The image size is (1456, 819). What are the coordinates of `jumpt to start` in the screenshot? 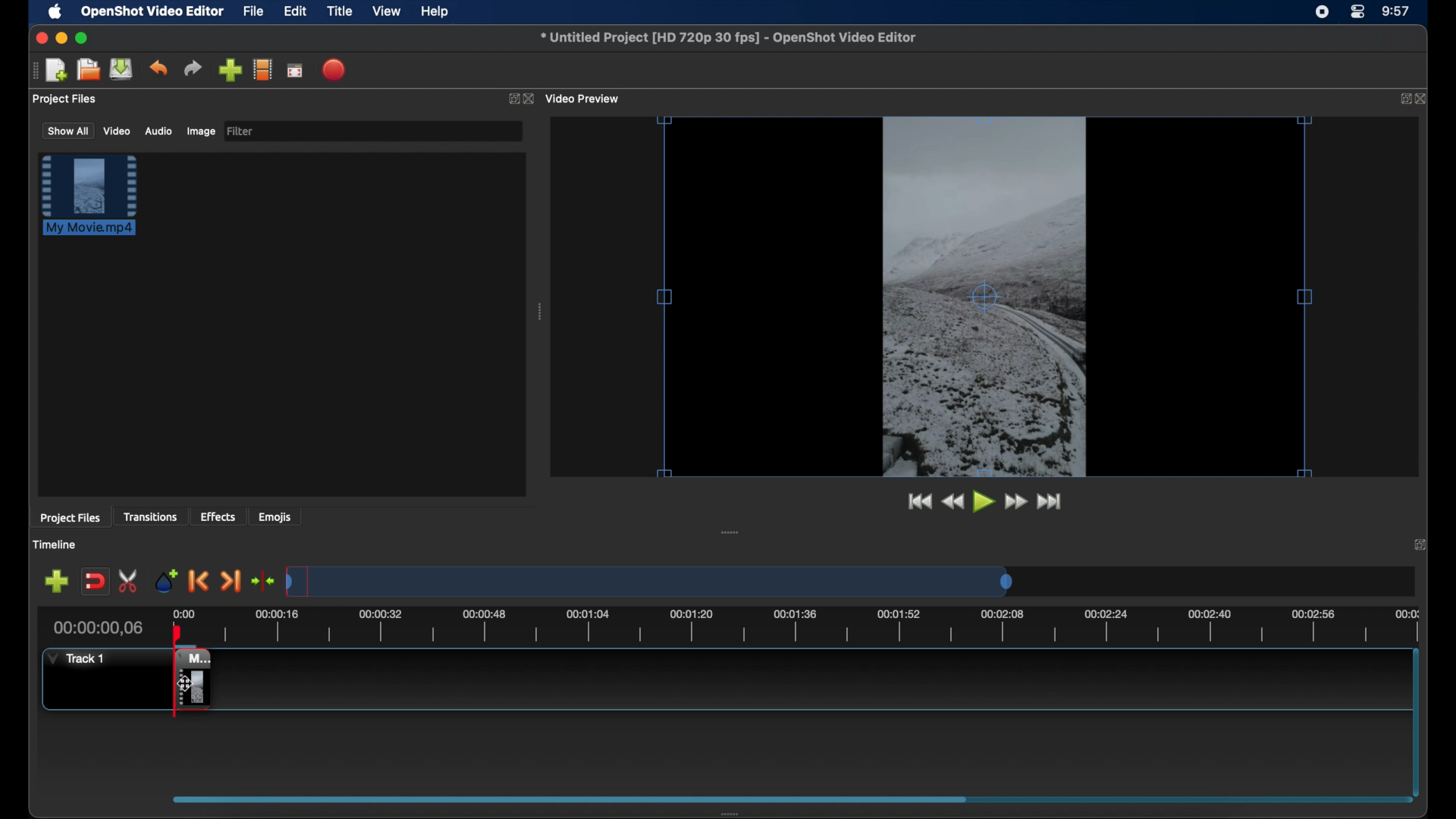 It's located at (918, 501).